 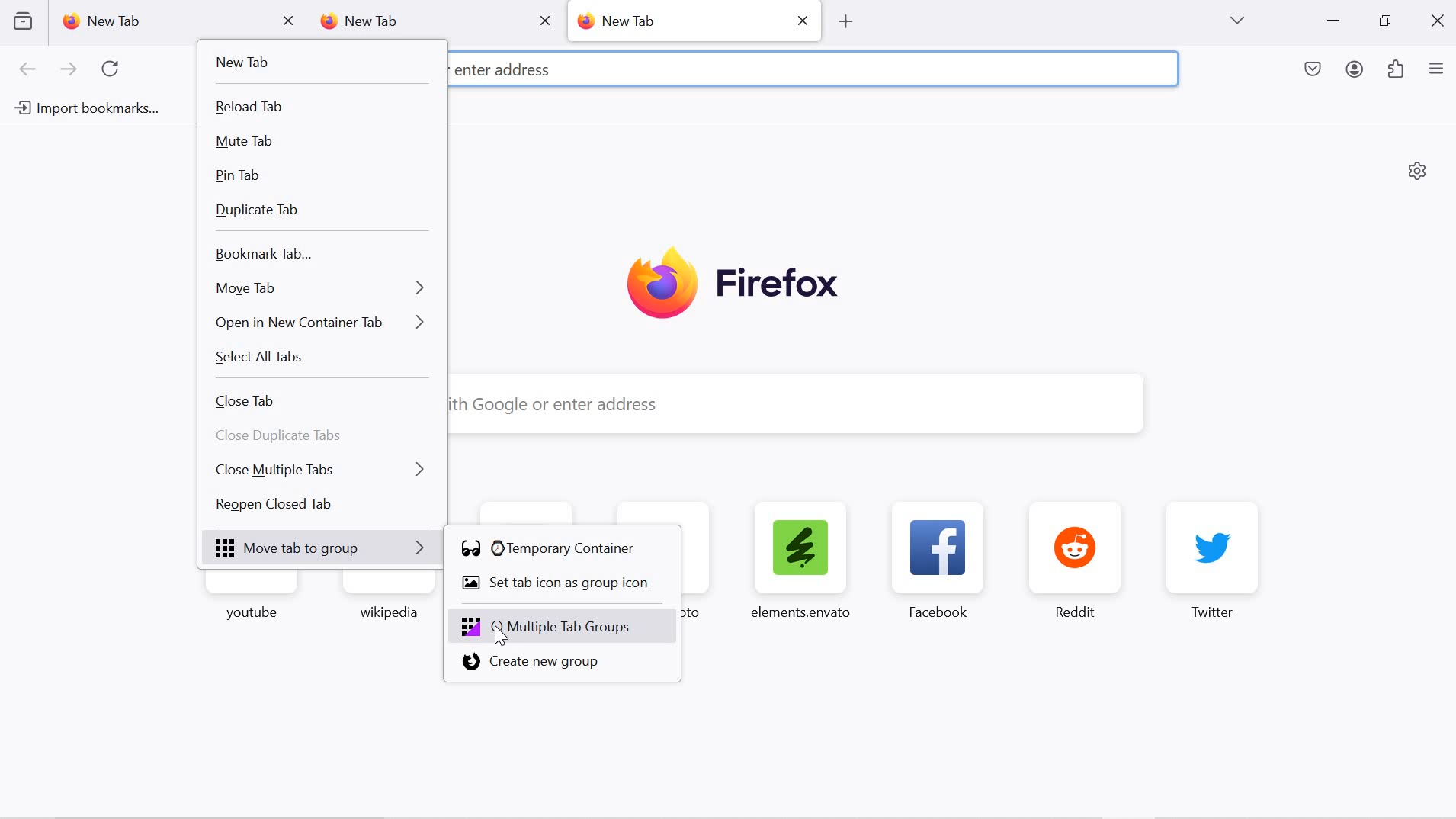 I want to click on new tab, so click(x=316, y=63).